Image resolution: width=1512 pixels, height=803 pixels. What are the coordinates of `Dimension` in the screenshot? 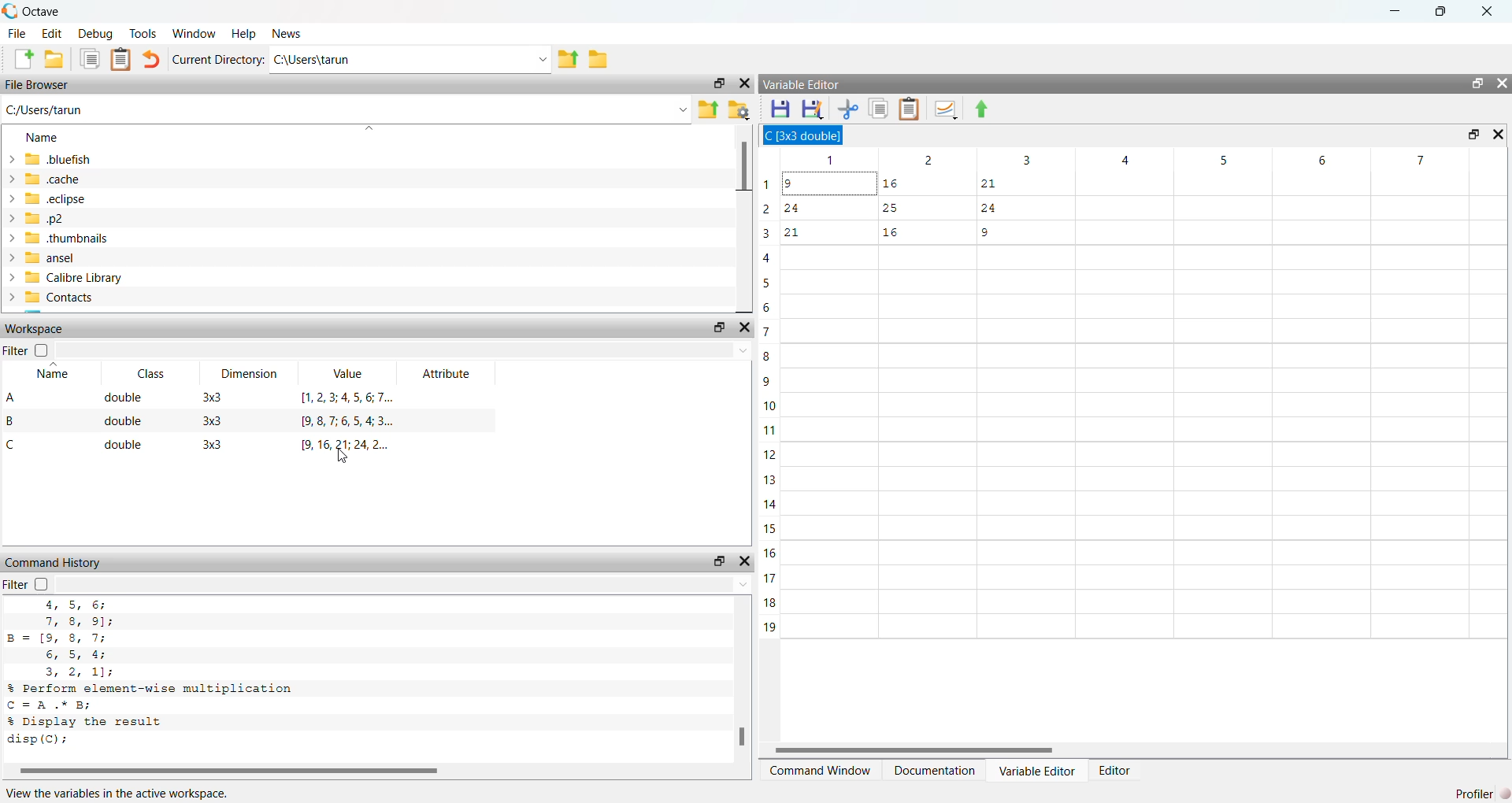 It's located at (253, 374).